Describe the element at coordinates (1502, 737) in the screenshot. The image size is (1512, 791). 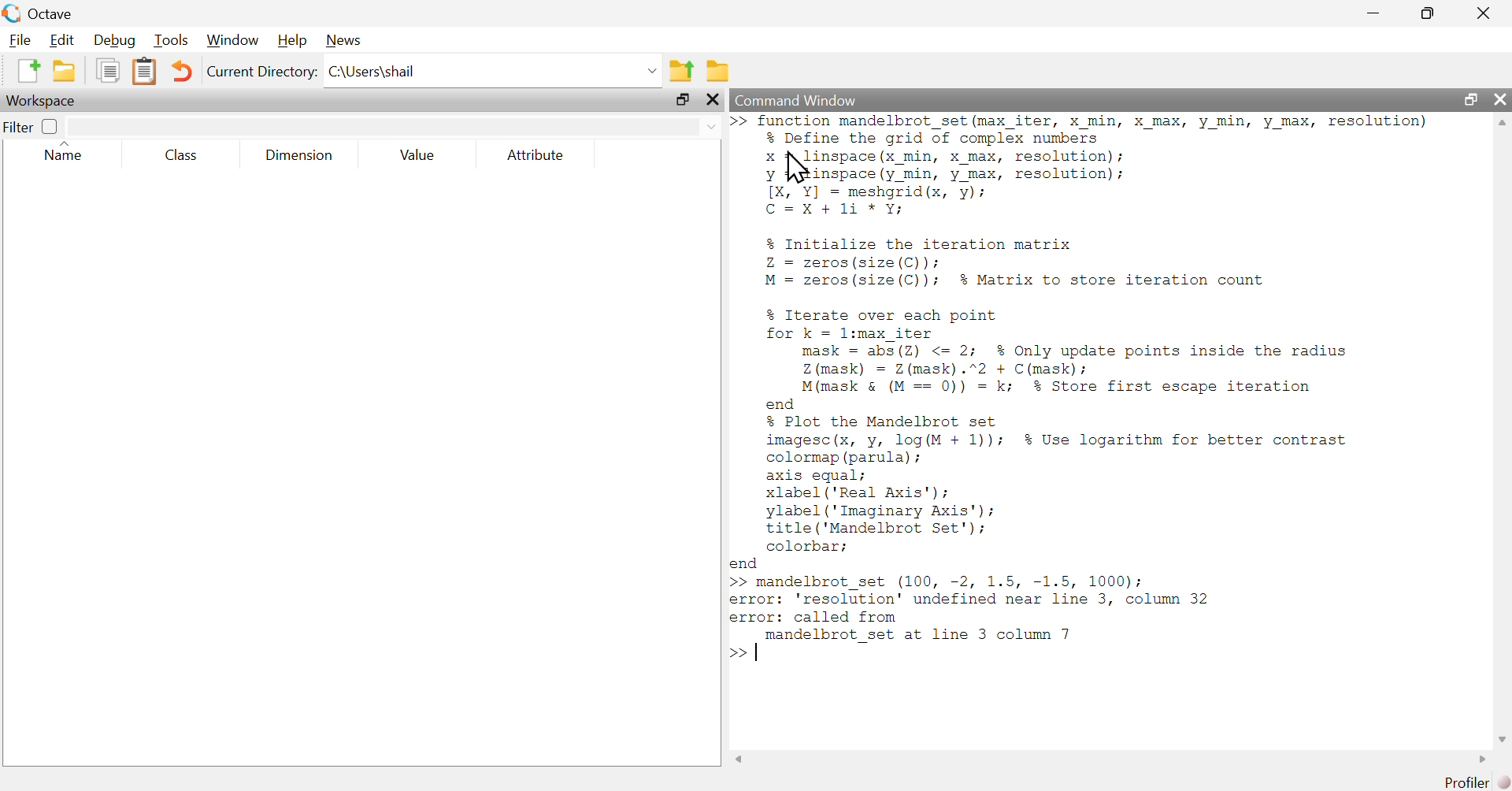
I see `Scrollbar down` at that location.